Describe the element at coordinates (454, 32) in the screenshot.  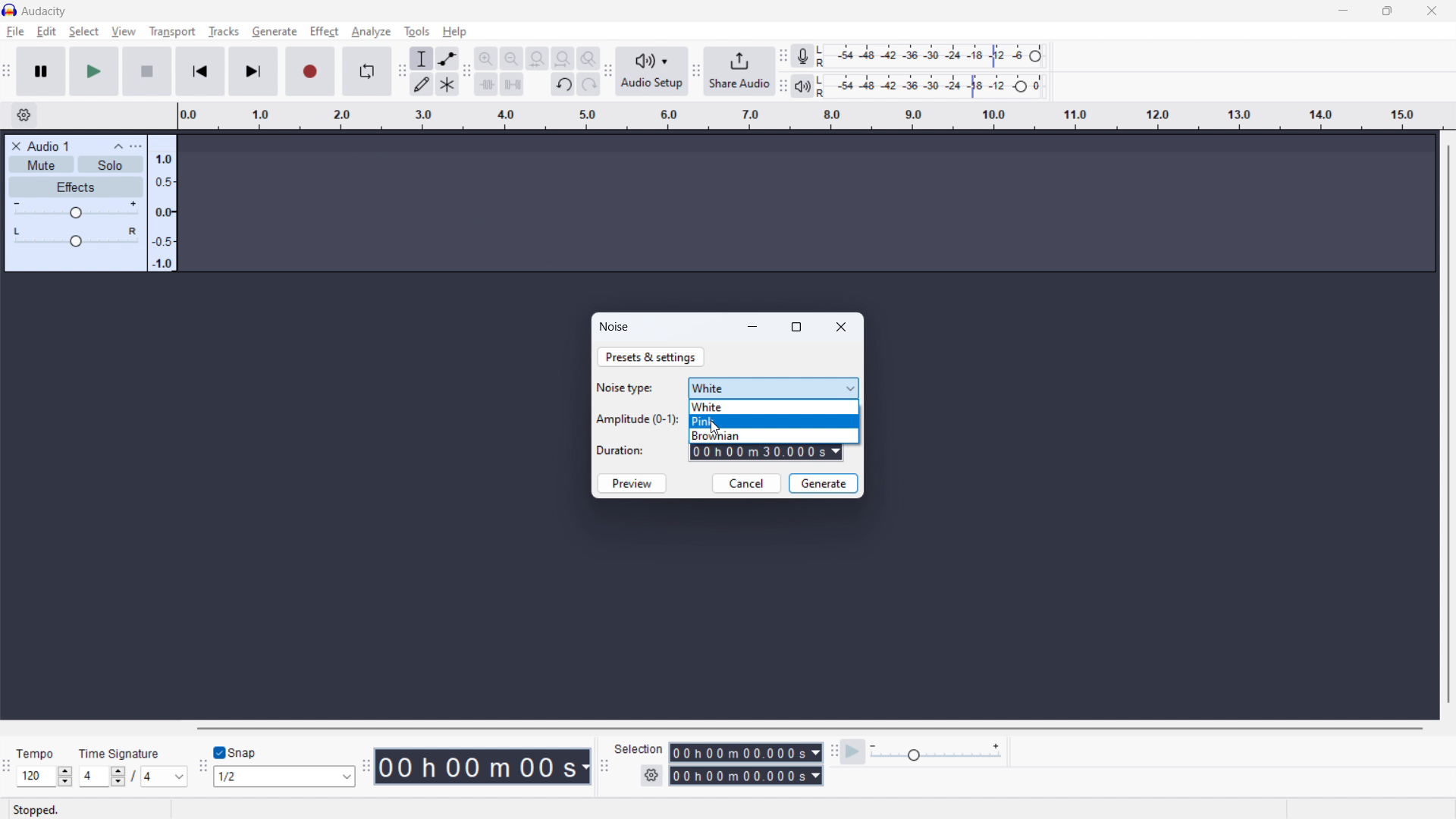
I see `help` at that location.